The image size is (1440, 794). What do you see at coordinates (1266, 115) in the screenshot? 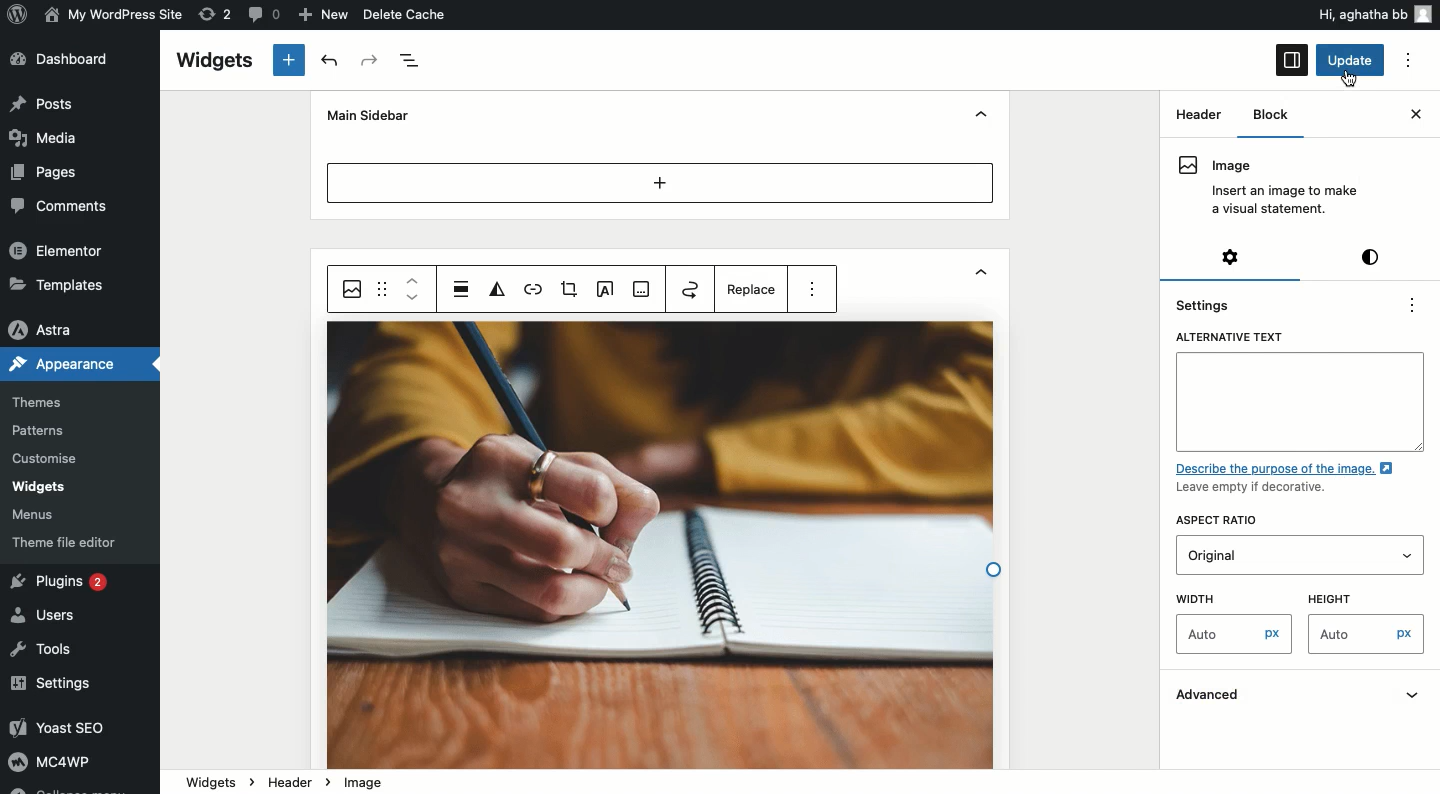
I see `Block` at bounding box center [1266, 115].